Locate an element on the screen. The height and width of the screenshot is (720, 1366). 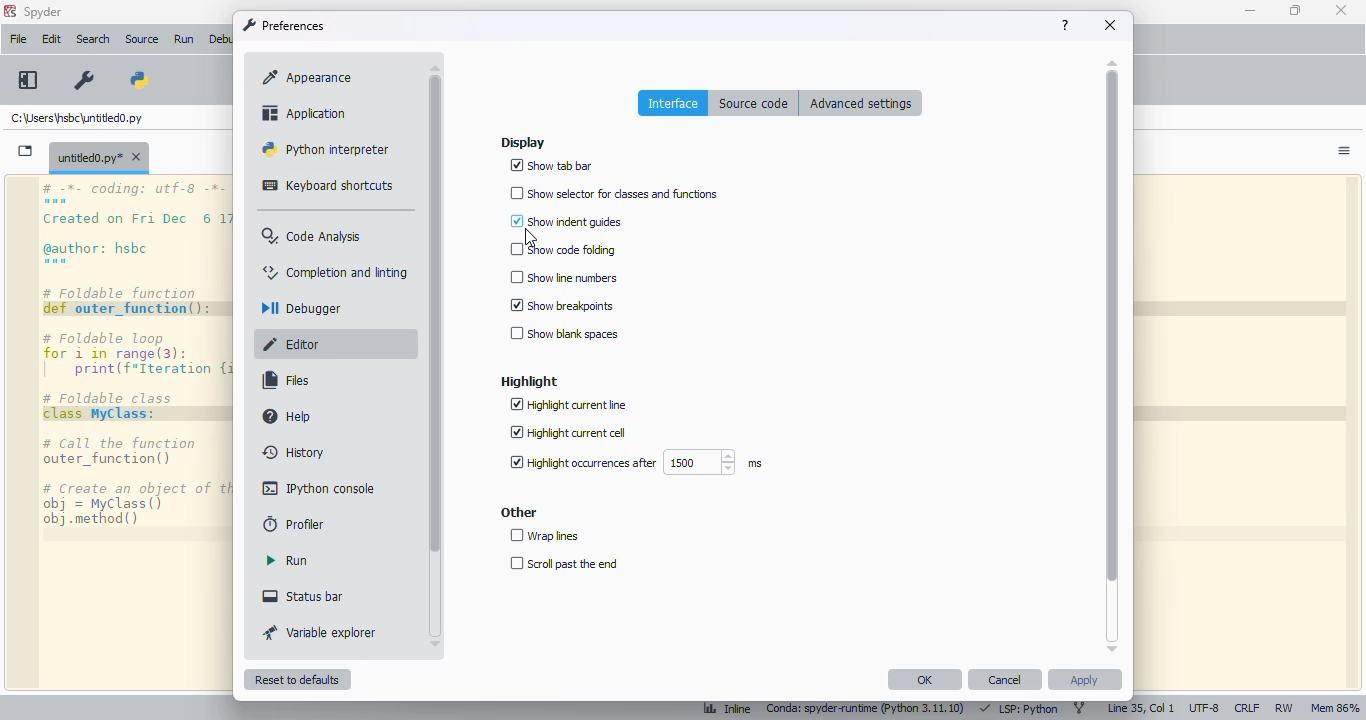
minimize is located at coordinates (1250, 10).